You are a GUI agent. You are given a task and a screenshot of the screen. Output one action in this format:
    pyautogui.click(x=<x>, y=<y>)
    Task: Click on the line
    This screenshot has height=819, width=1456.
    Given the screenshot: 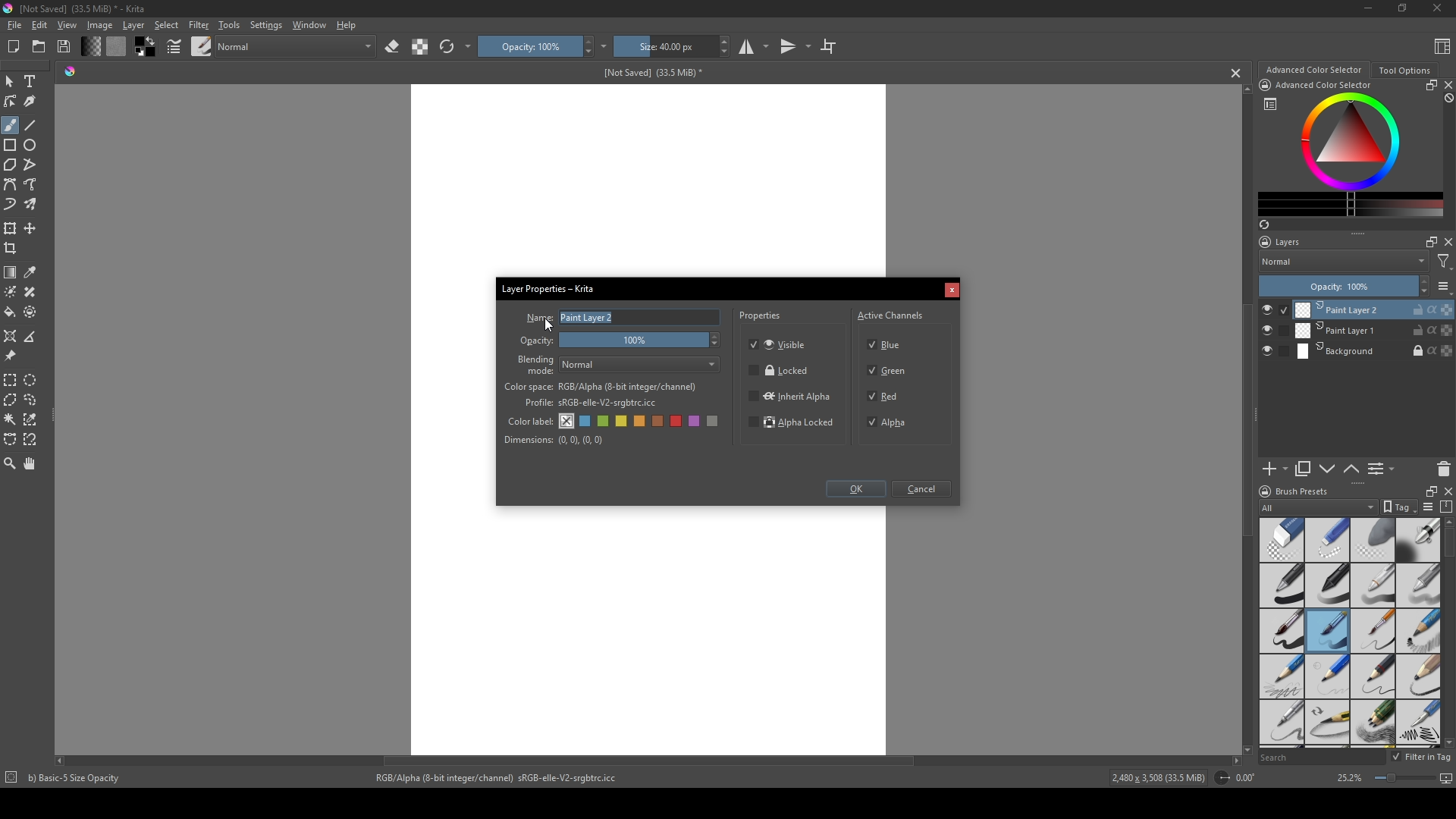 What is the action you would take?
    pyautogui.click(x=31, y=125)
    